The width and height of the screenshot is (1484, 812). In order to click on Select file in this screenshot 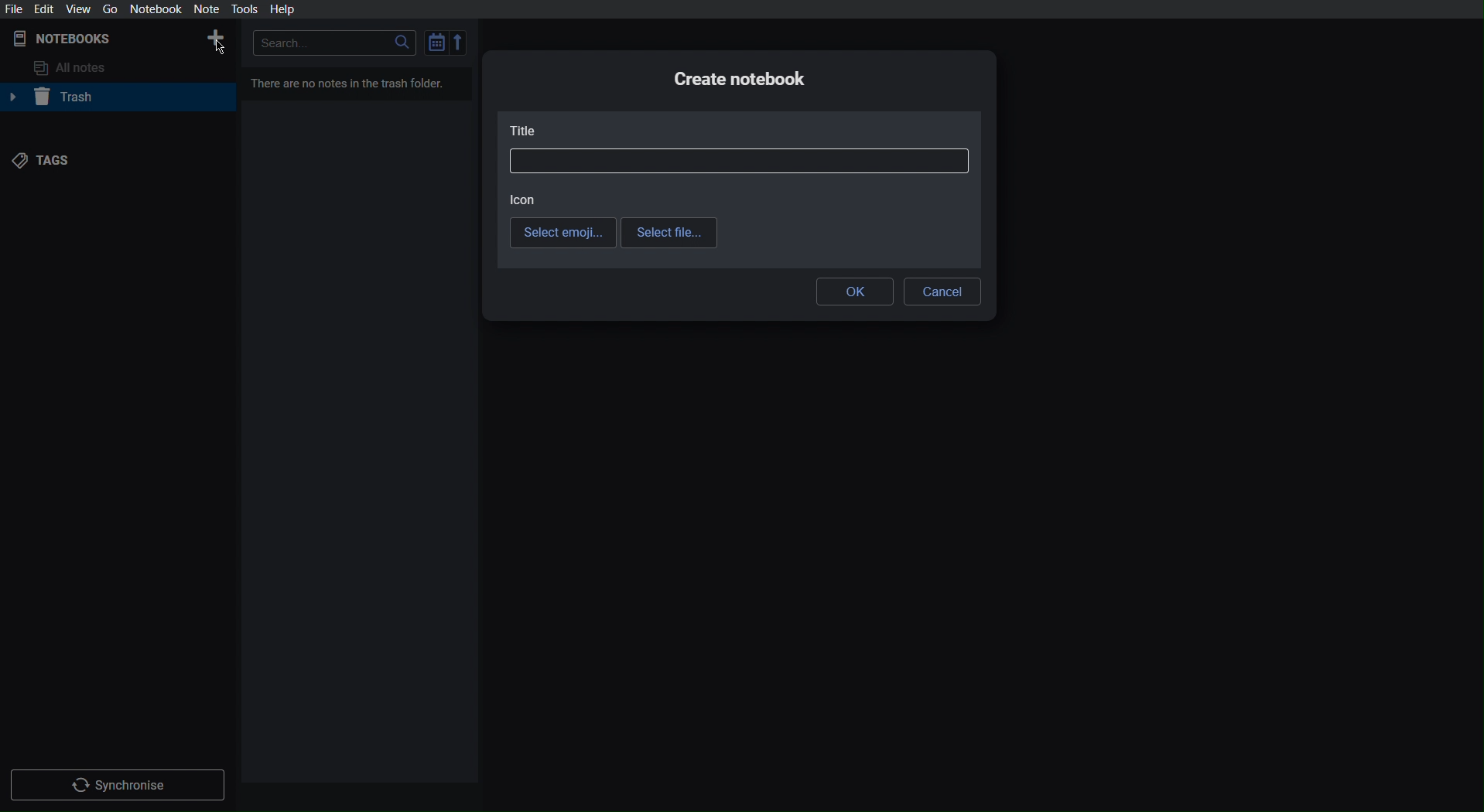, I will do `click(668, 233)`.